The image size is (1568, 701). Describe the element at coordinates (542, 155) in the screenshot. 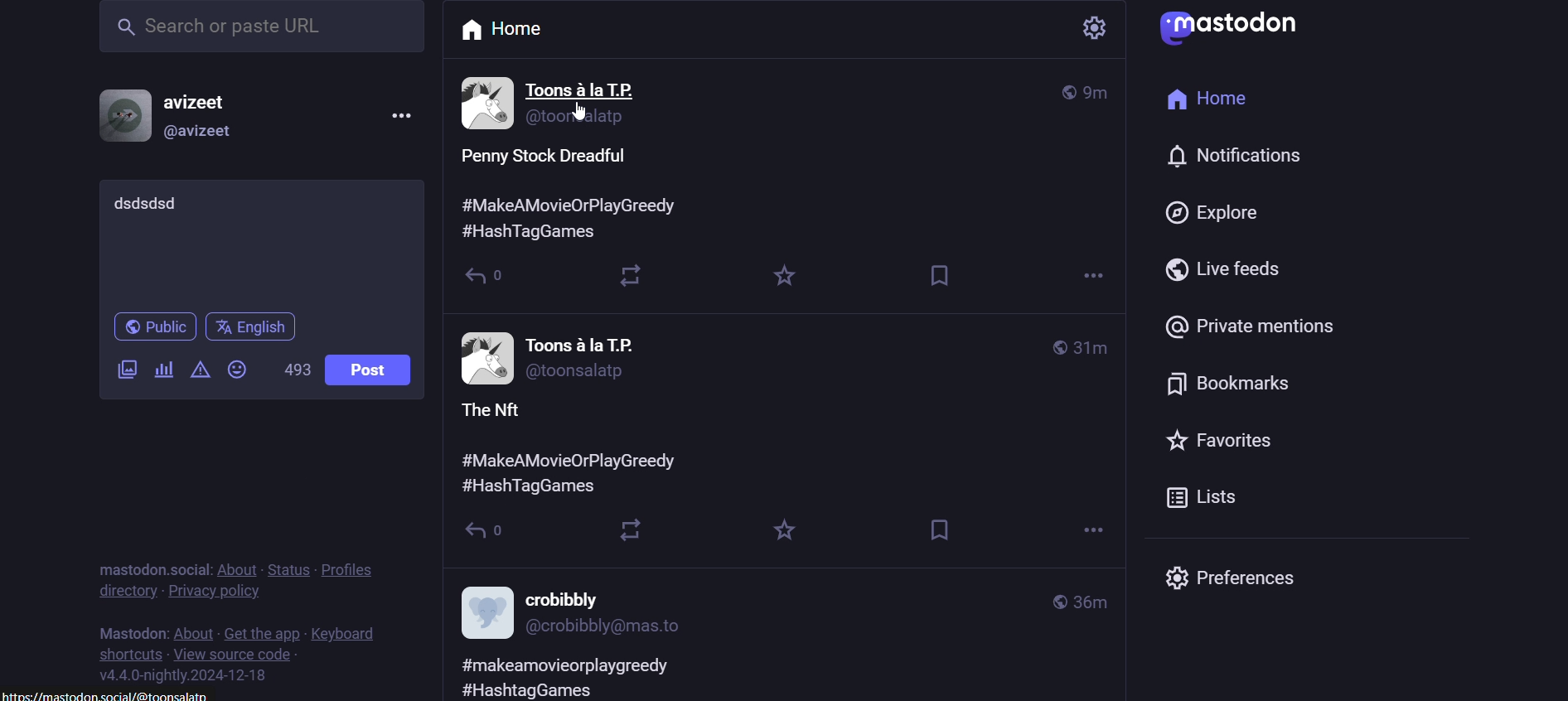

I see `post content` at that location.